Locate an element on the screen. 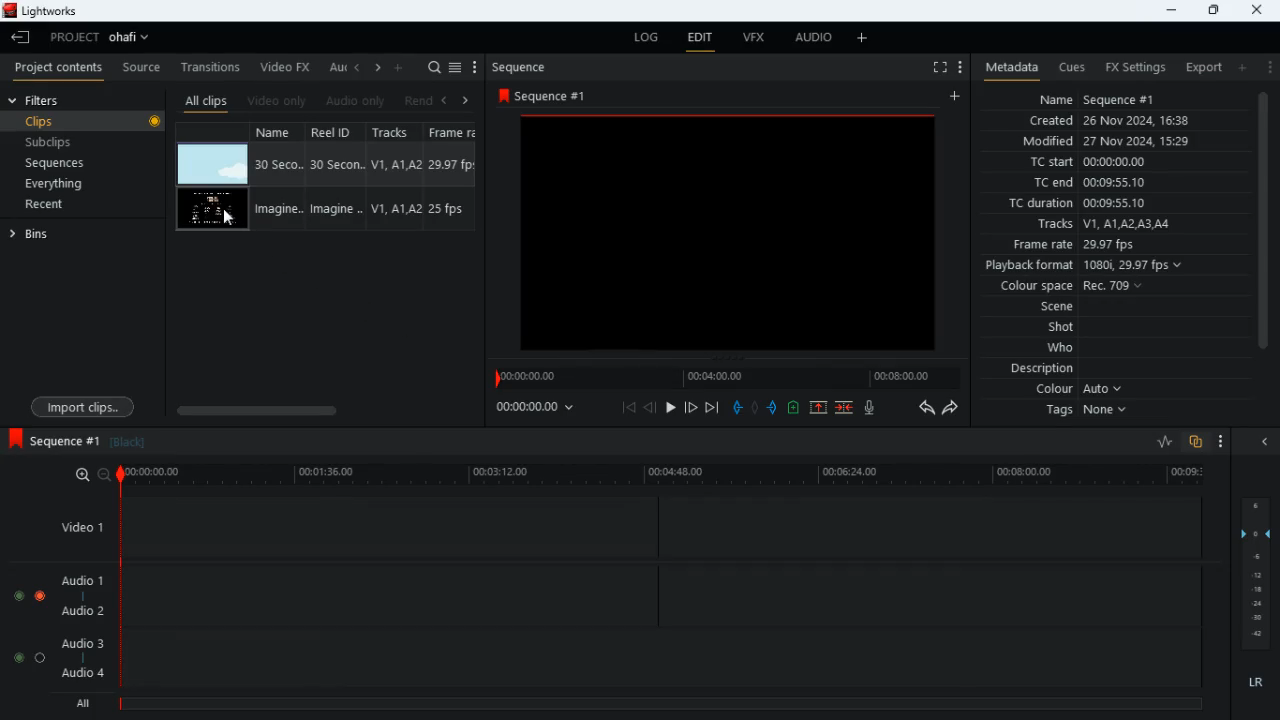 This screenshot has width=1280, height=720. up is located at coordinates (818, 409).